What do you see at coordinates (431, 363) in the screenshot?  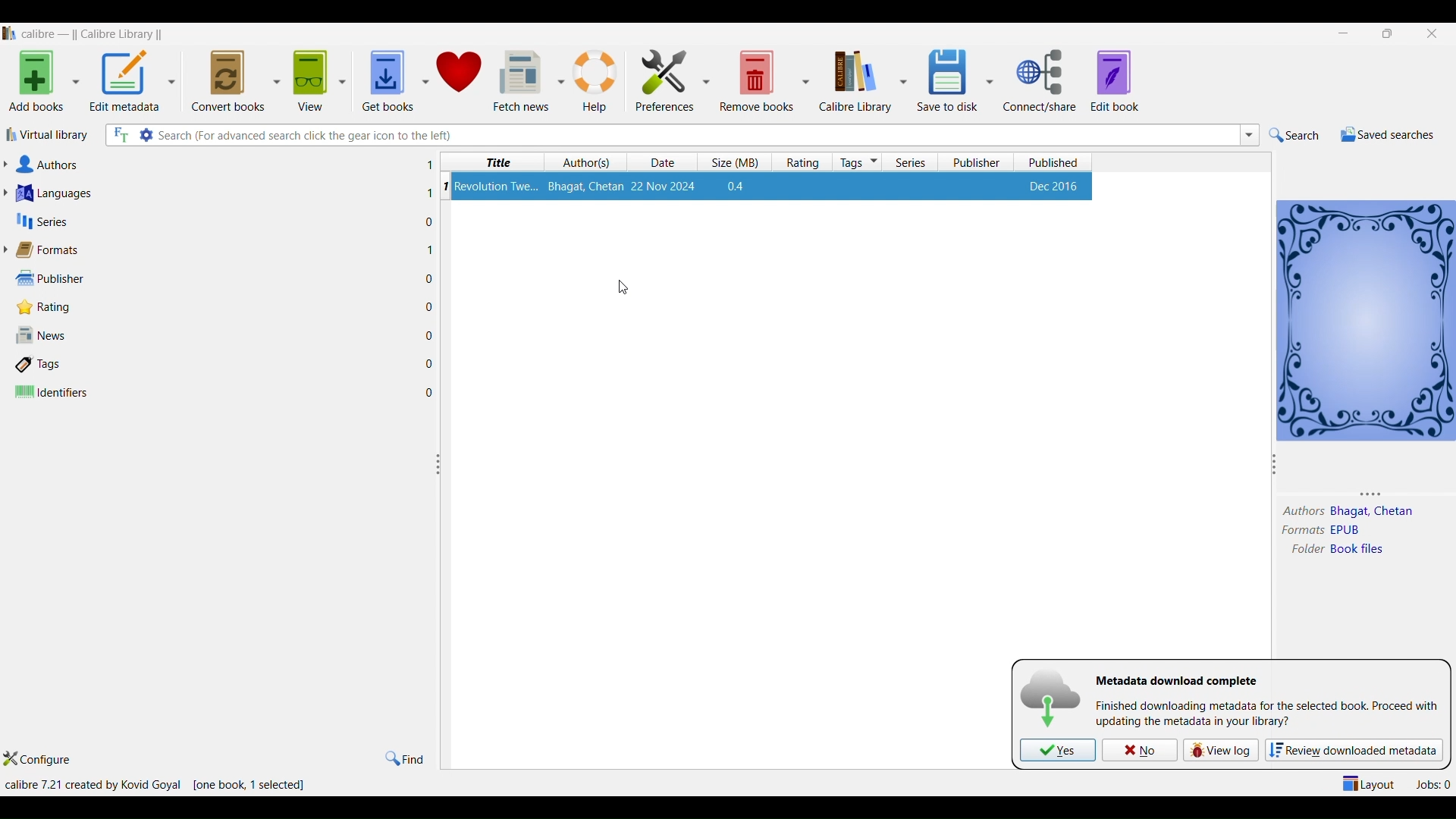 I see `0` at bounding box center [431, 363].